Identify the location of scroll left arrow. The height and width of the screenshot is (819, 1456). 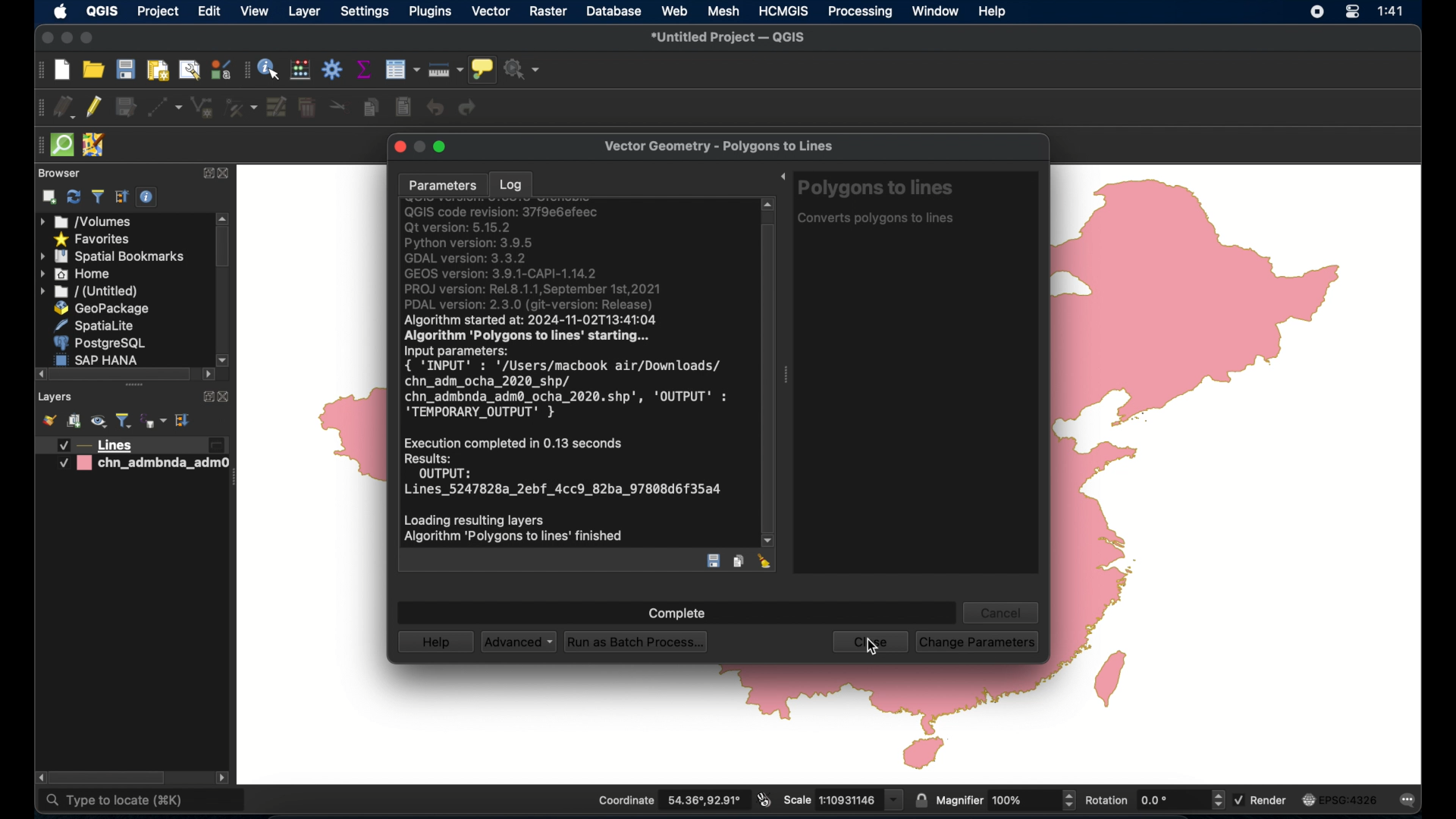
(36, 374).